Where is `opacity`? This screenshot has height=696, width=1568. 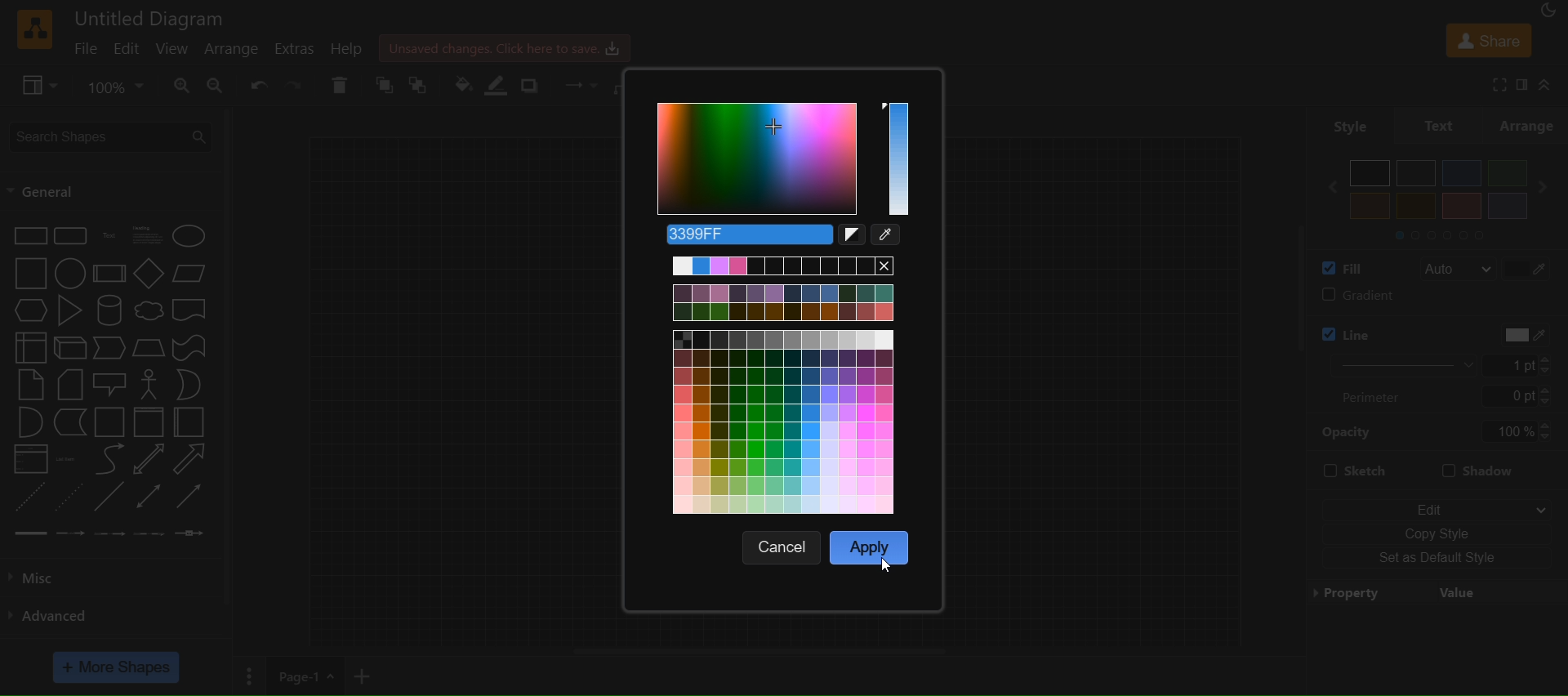
opacity is located at coordinates (1348, 431).